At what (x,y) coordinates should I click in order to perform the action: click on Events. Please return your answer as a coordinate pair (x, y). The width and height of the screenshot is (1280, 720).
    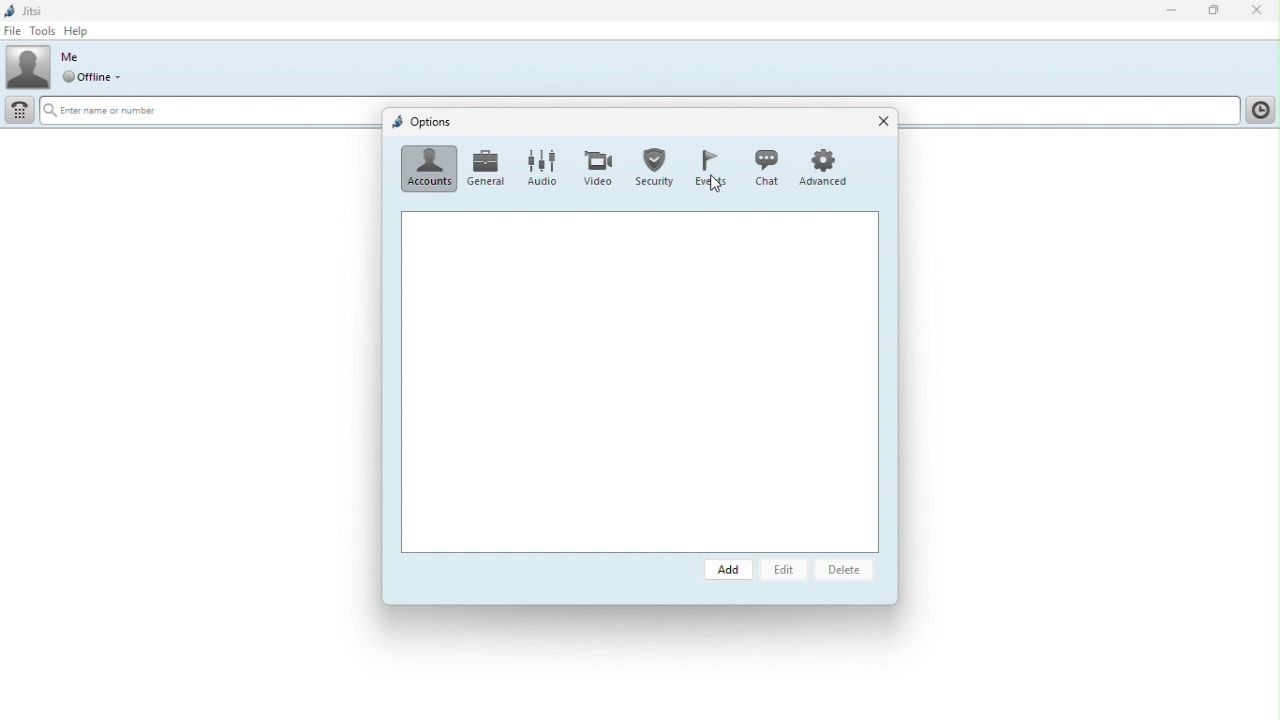
    Looking at the image, I should click on (713, 165).